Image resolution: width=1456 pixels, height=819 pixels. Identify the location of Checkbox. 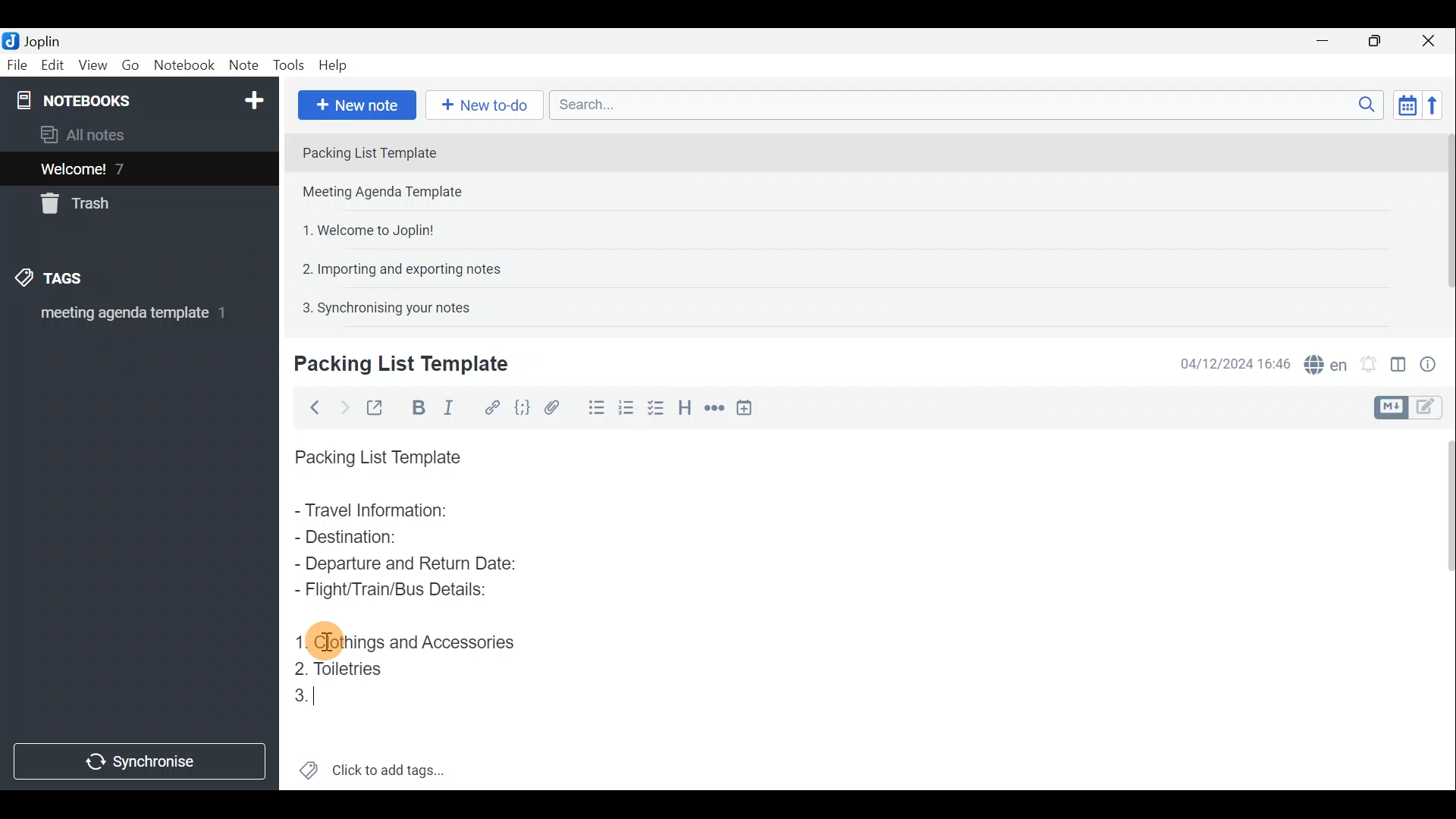
(626, 405).